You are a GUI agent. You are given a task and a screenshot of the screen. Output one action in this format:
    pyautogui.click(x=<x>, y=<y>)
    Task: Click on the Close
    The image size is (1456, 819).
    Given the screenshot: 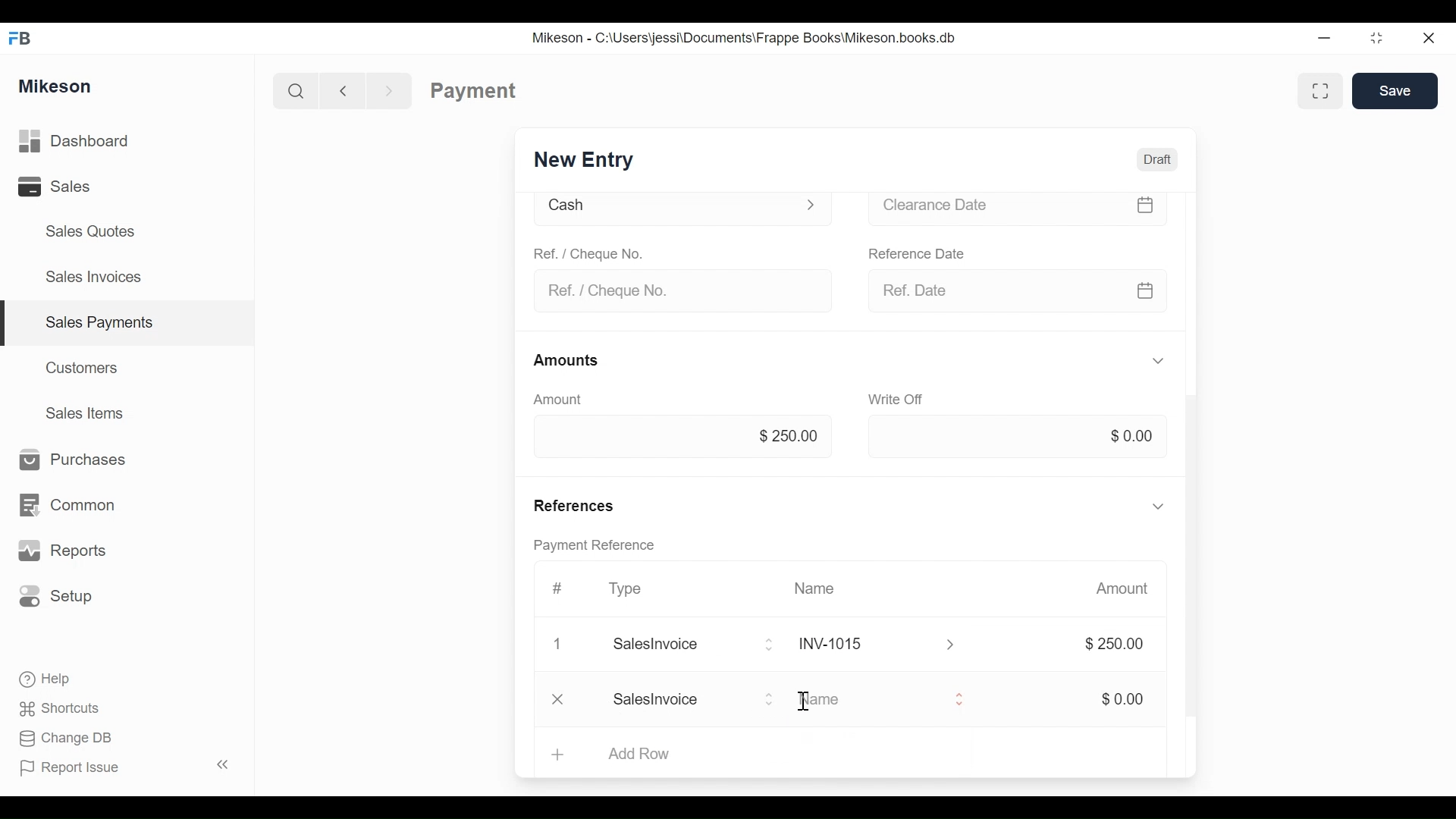 What is the action you would take?
    pyautogui.click(x=1426, y=36)
    